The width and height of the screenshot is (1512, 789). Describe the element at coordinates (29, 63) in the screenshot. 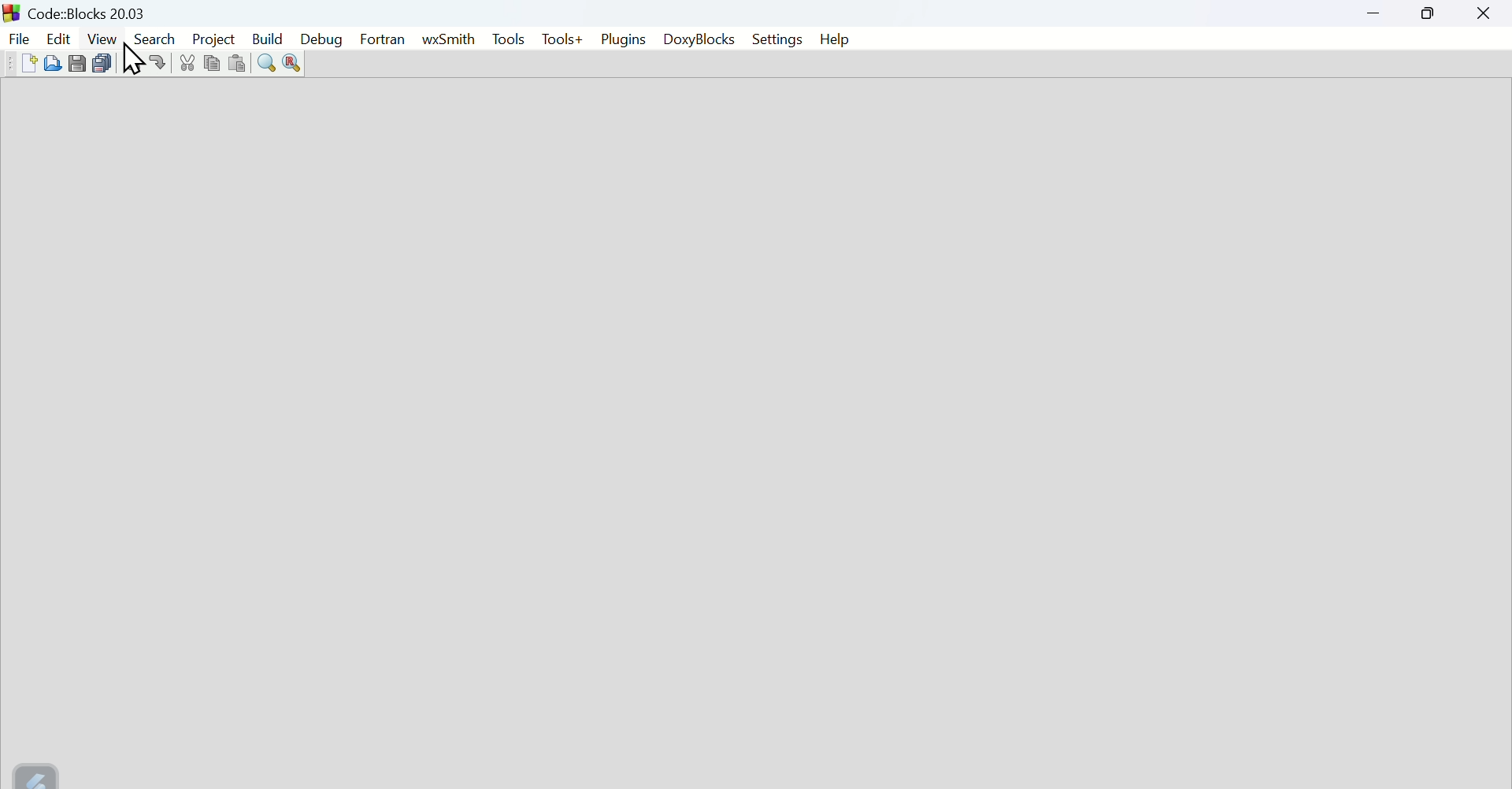

I see `Create new file` at that location.